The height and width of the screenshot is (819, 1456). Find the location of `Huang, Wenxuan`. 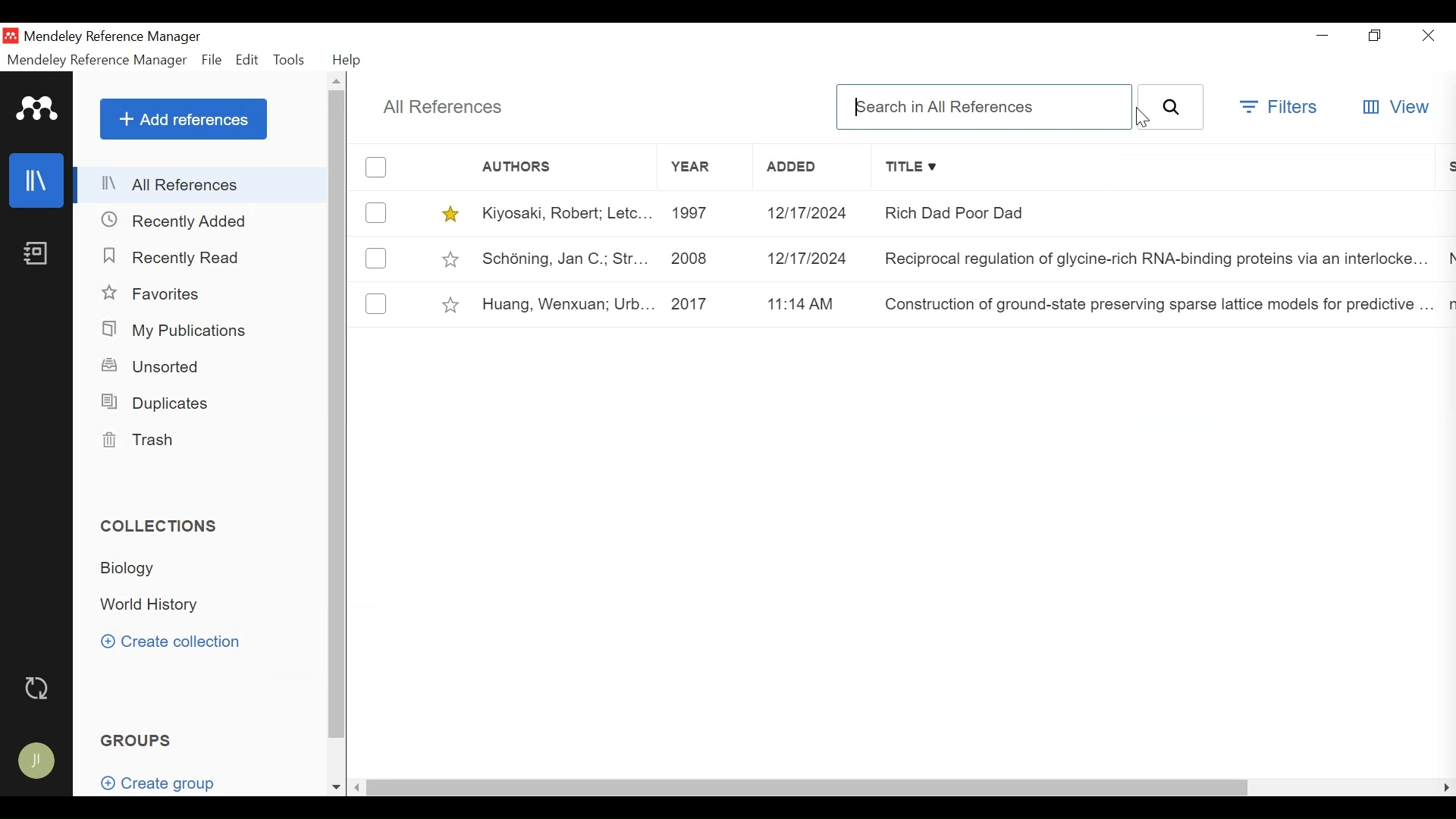

Huang, Wenxuan is located at coordinates (563, 305).